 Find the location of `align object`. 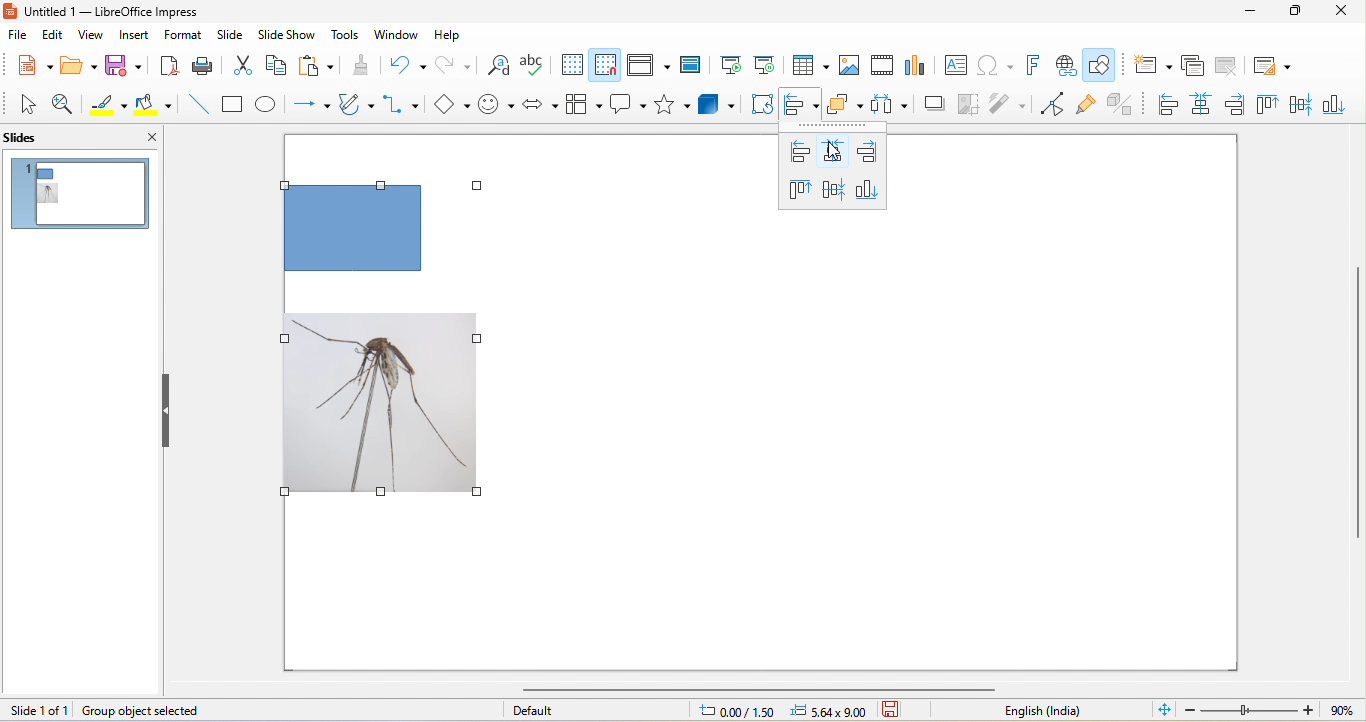

align object is located at coordinates (801, 106).